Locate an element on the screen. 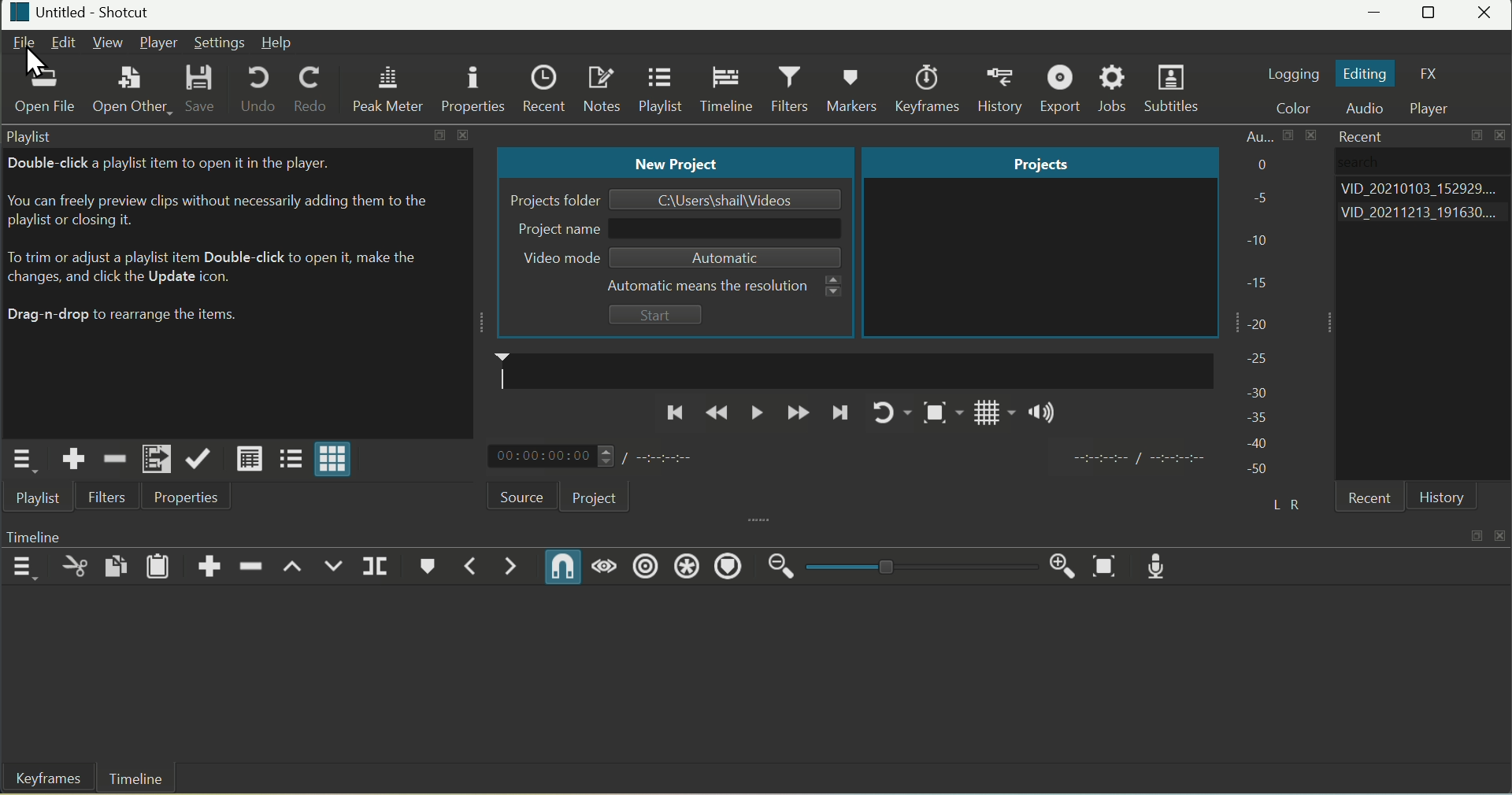 The width and height of the screenshot is (1512, 795). Timeline is located at coordinates (136, 779).